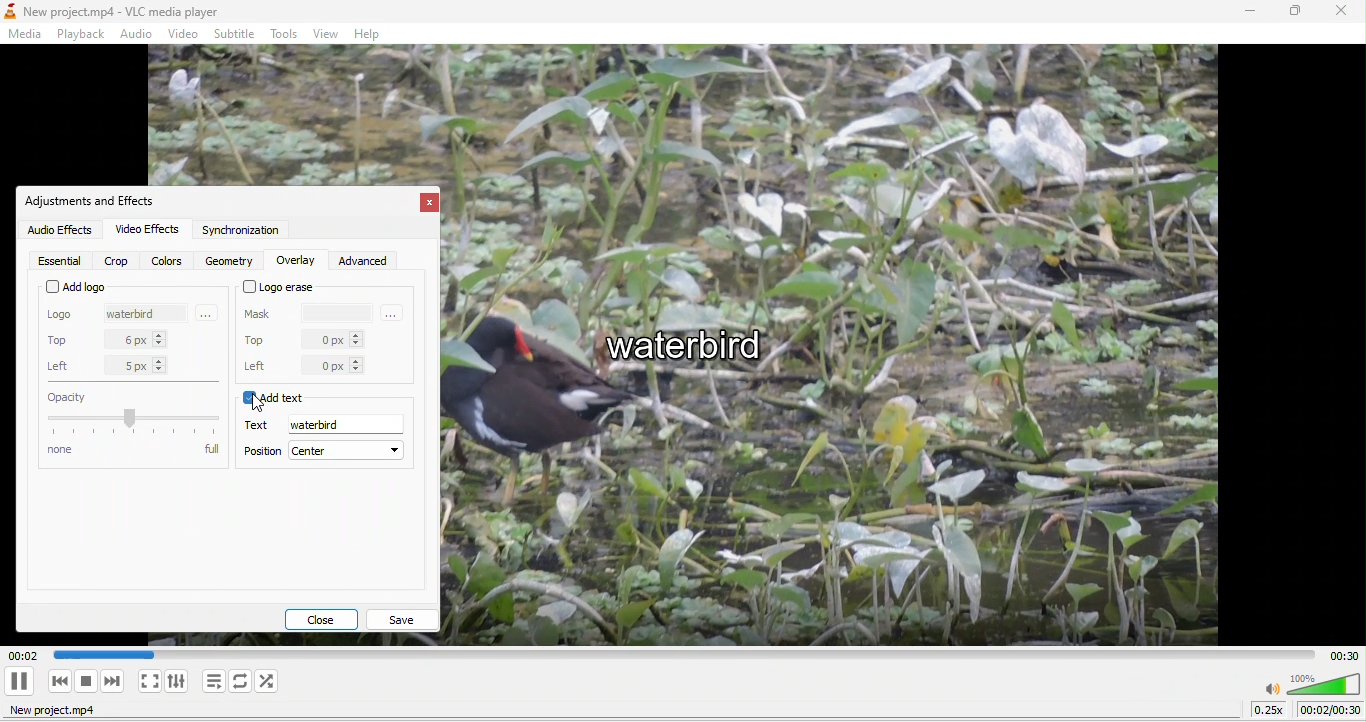 Image resolution: width=1366 pixels, height=722 pixels. What do you see at coordinates (138, 316) in the screenshot?
I see `waterbird` at bounding box center [138, 316].